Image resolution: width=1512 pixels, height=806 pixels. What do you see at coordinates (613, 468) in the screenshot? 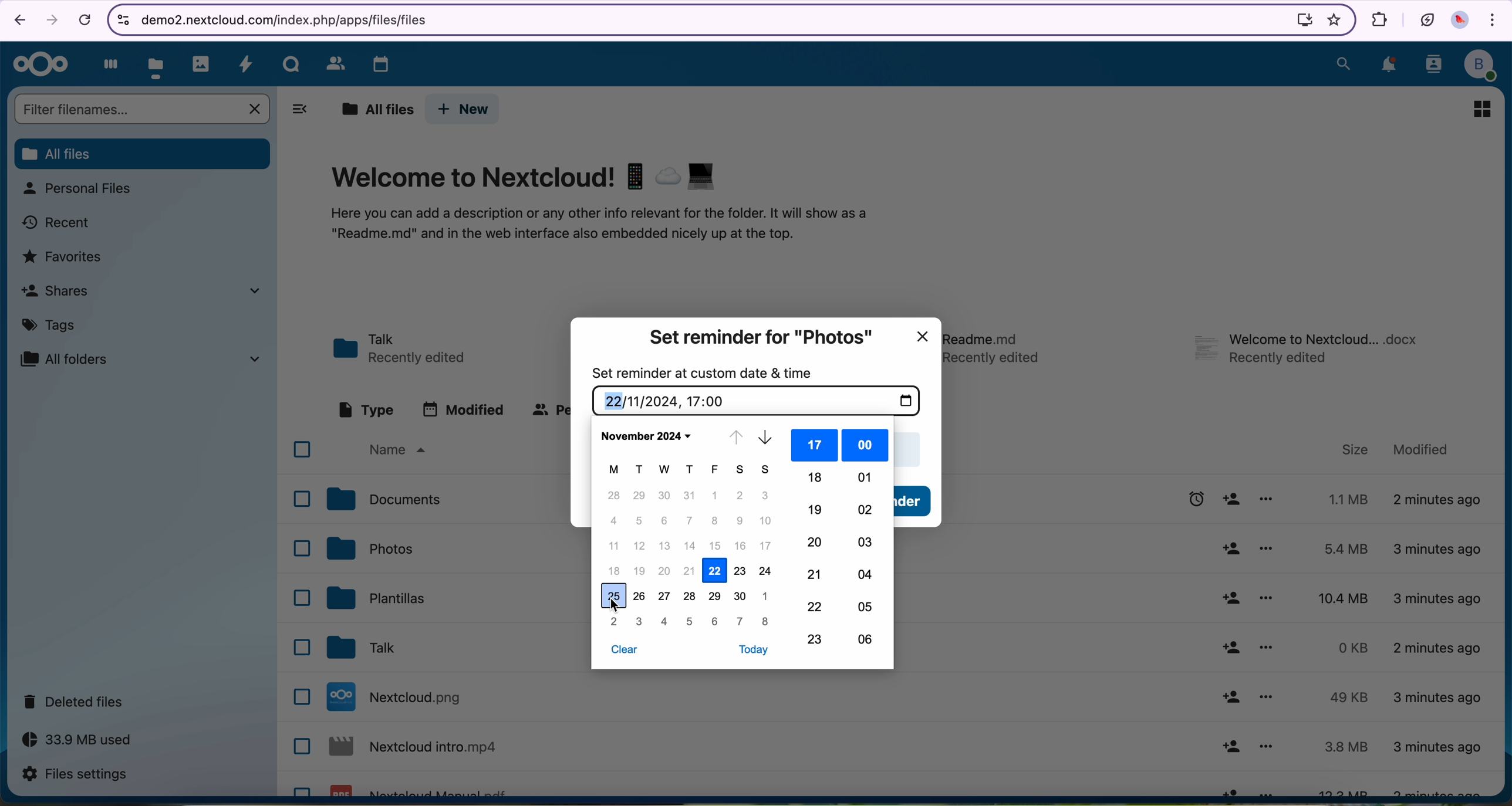
I see `monday` at bounding box center [613, 468].